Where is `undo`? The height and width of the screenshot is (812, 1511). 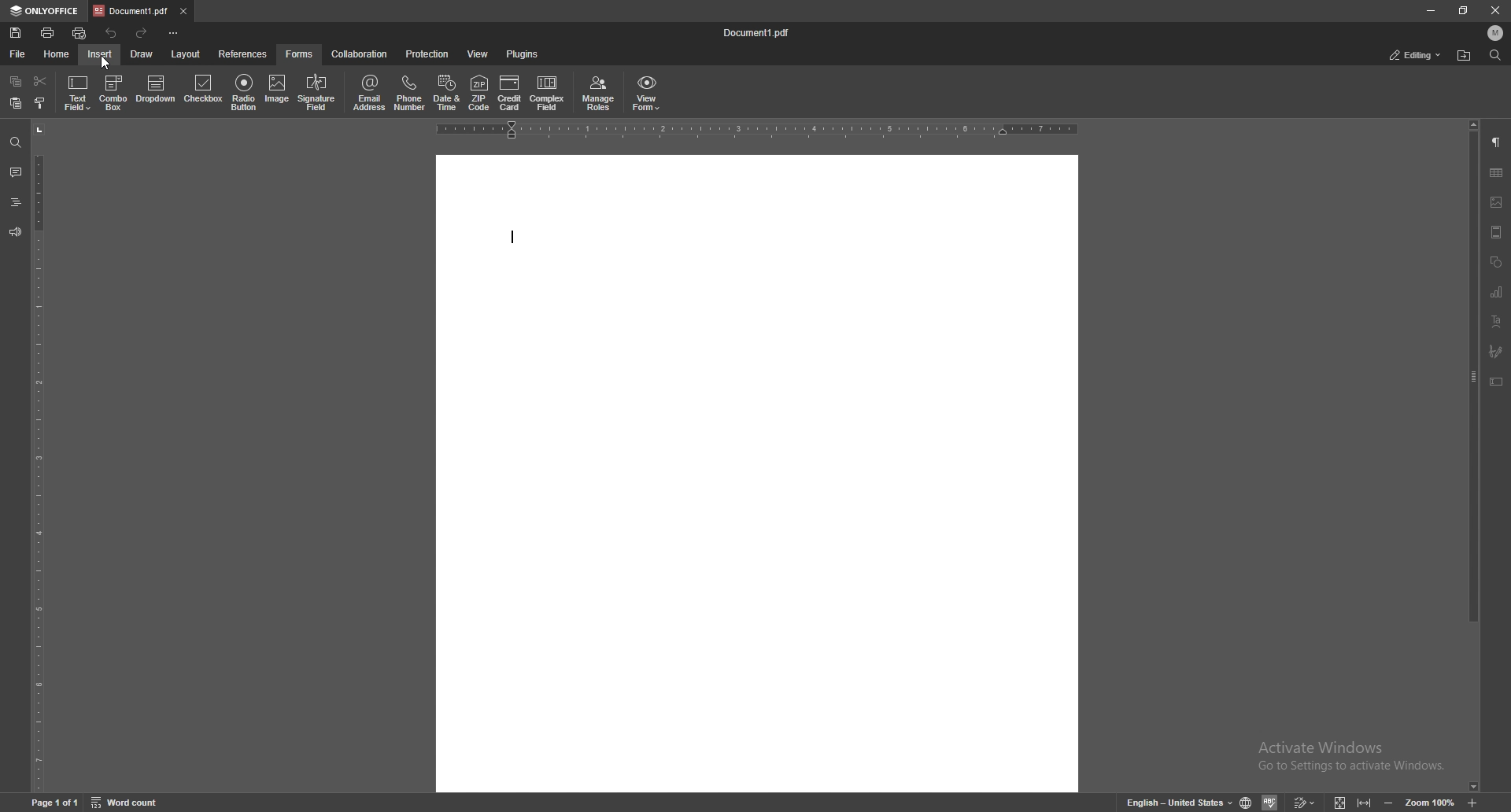
undo is located at coordinates (113, 33).